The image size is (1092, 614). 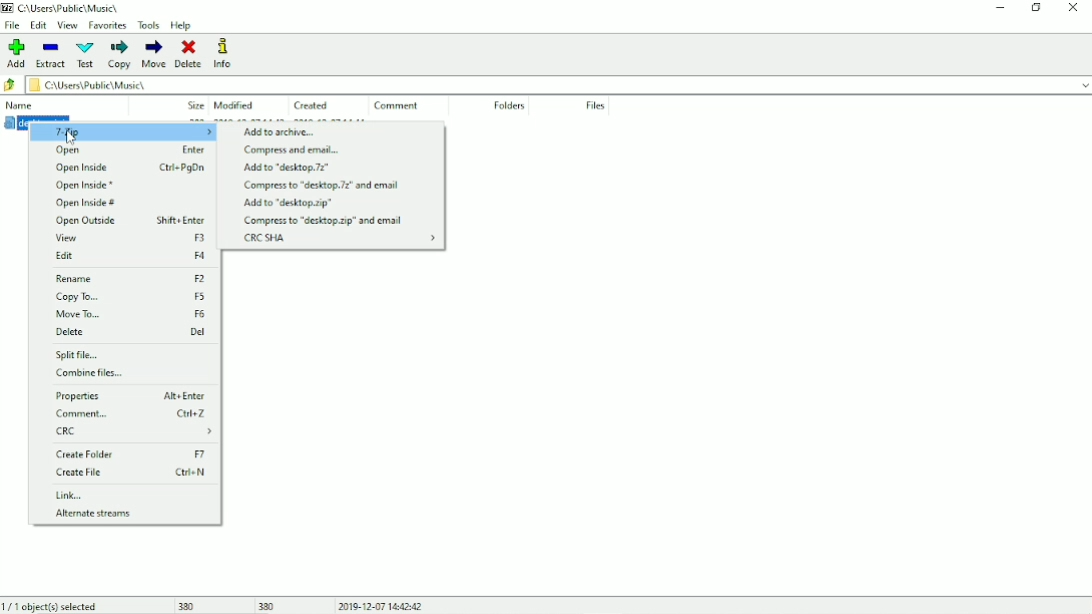 What do you see at coordinates (382, 605) in the screenshot?
I see `Date and Time` at bounding box center [382, 605].